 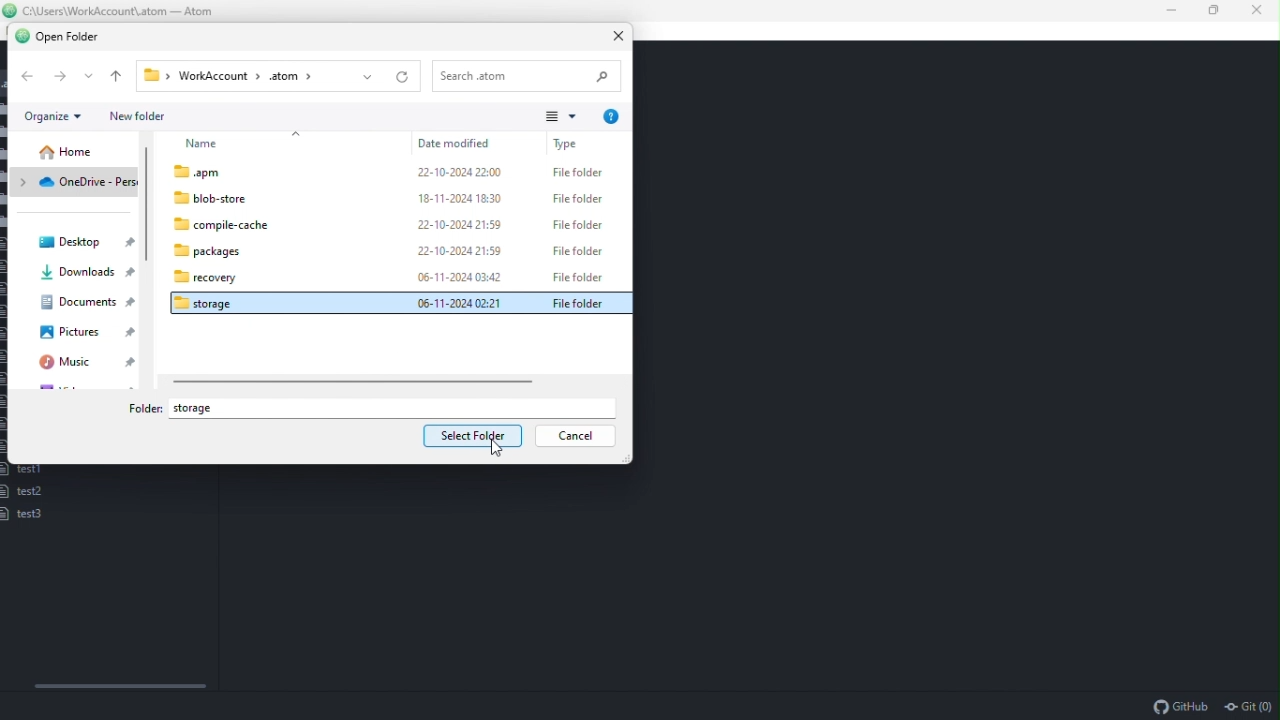 I want to click on git, so click(x=1249, y=706).